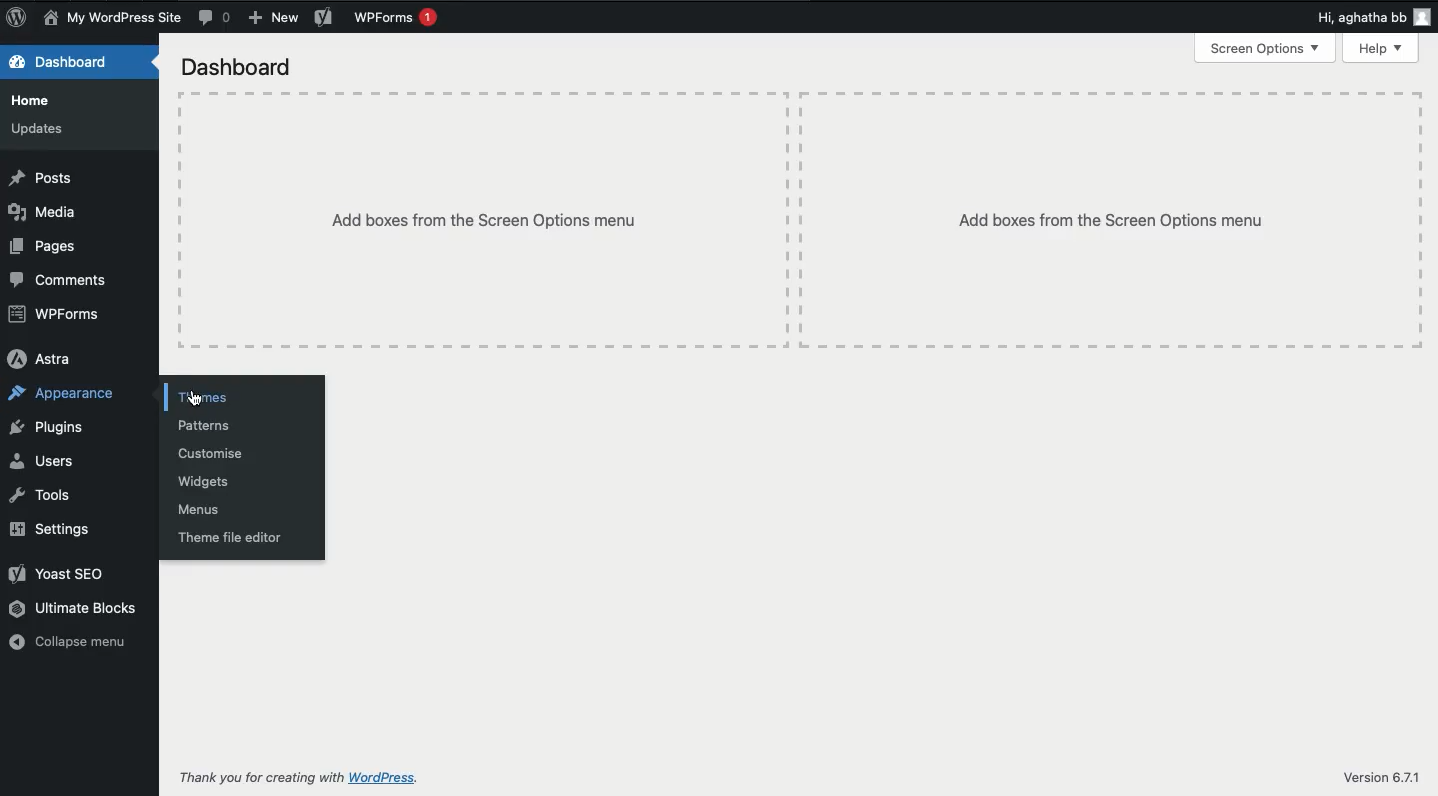 This screenshot has height=796, width=1438. I want to click on Help, so click(1382, 48).